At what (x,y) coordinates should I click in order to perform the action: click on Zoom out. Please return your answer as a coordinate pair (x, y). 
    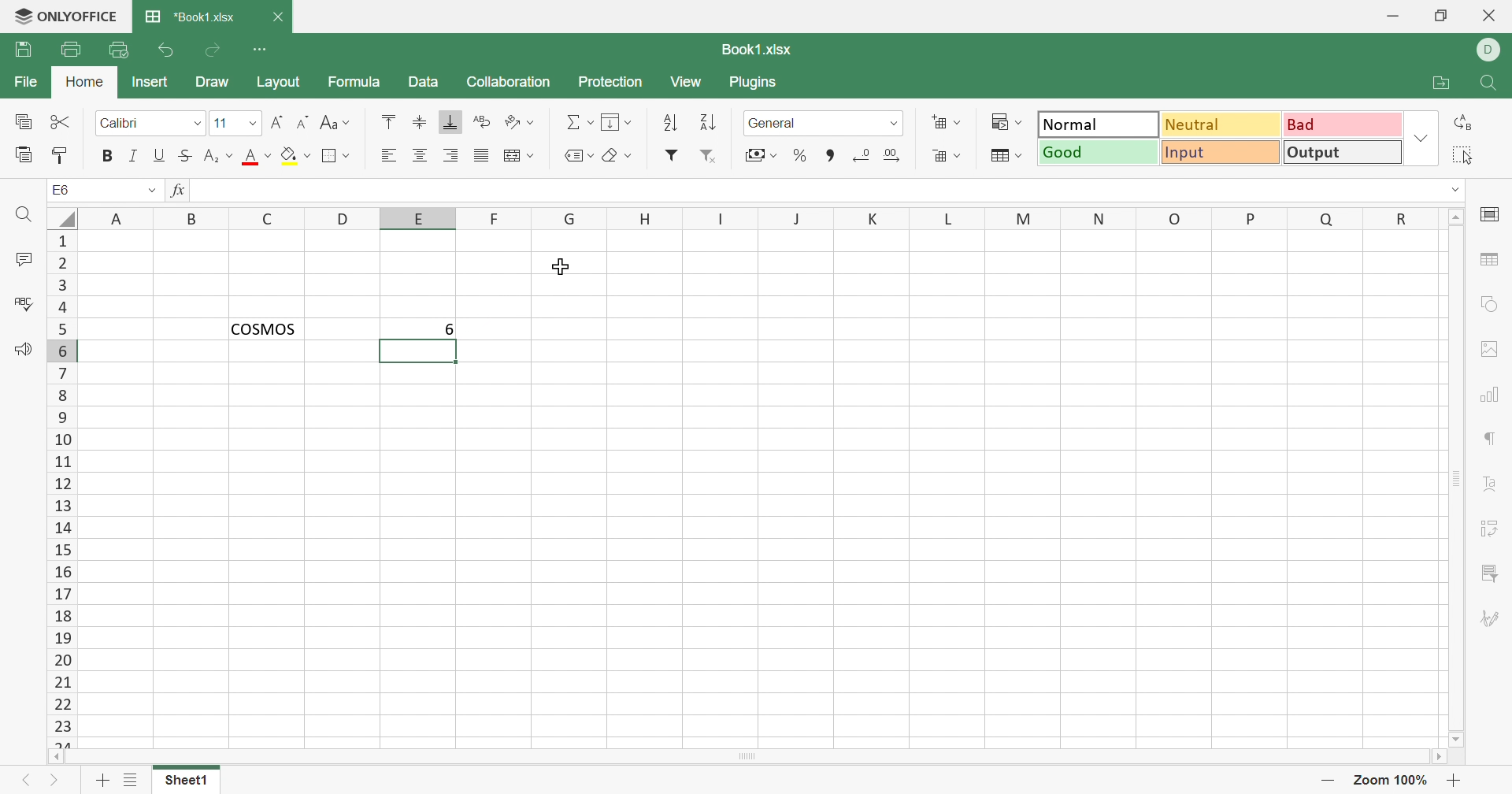
    Looking at the image, I should click on (1326, 778).